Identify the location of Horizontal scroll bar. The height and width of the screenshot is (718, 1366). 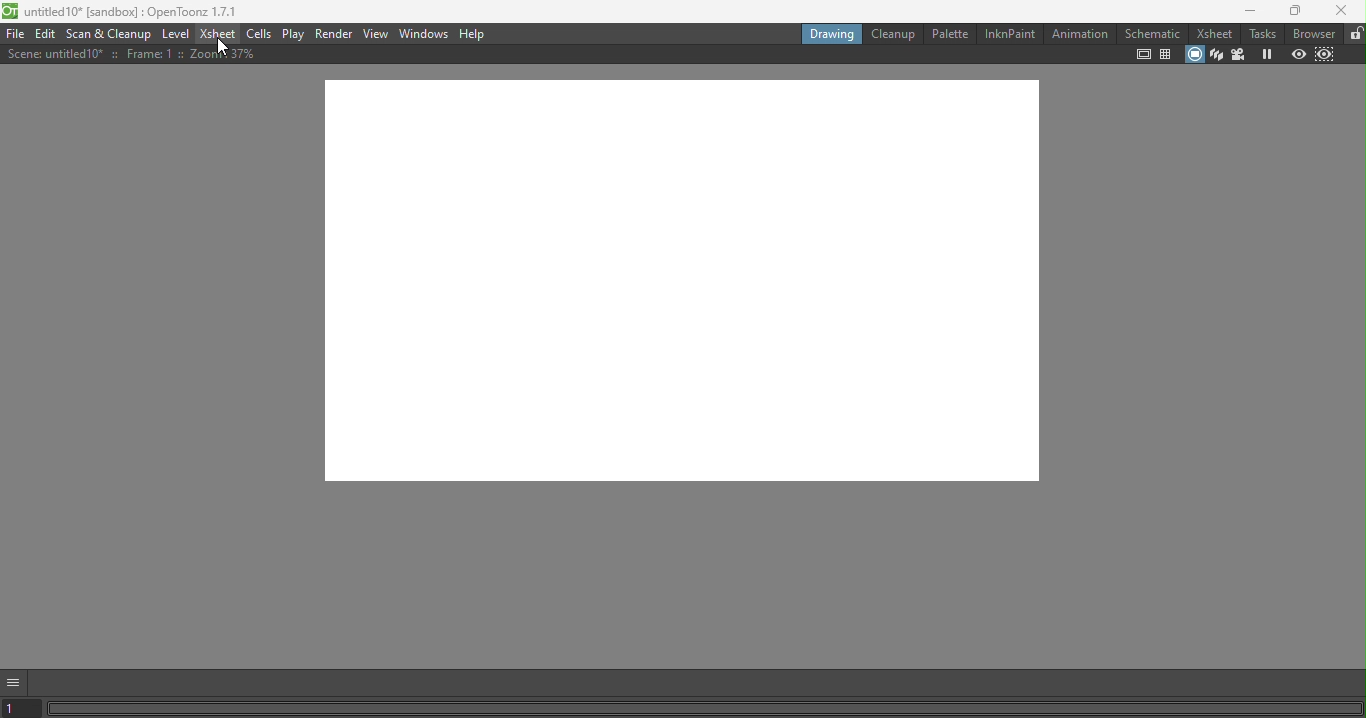
(705, 708).